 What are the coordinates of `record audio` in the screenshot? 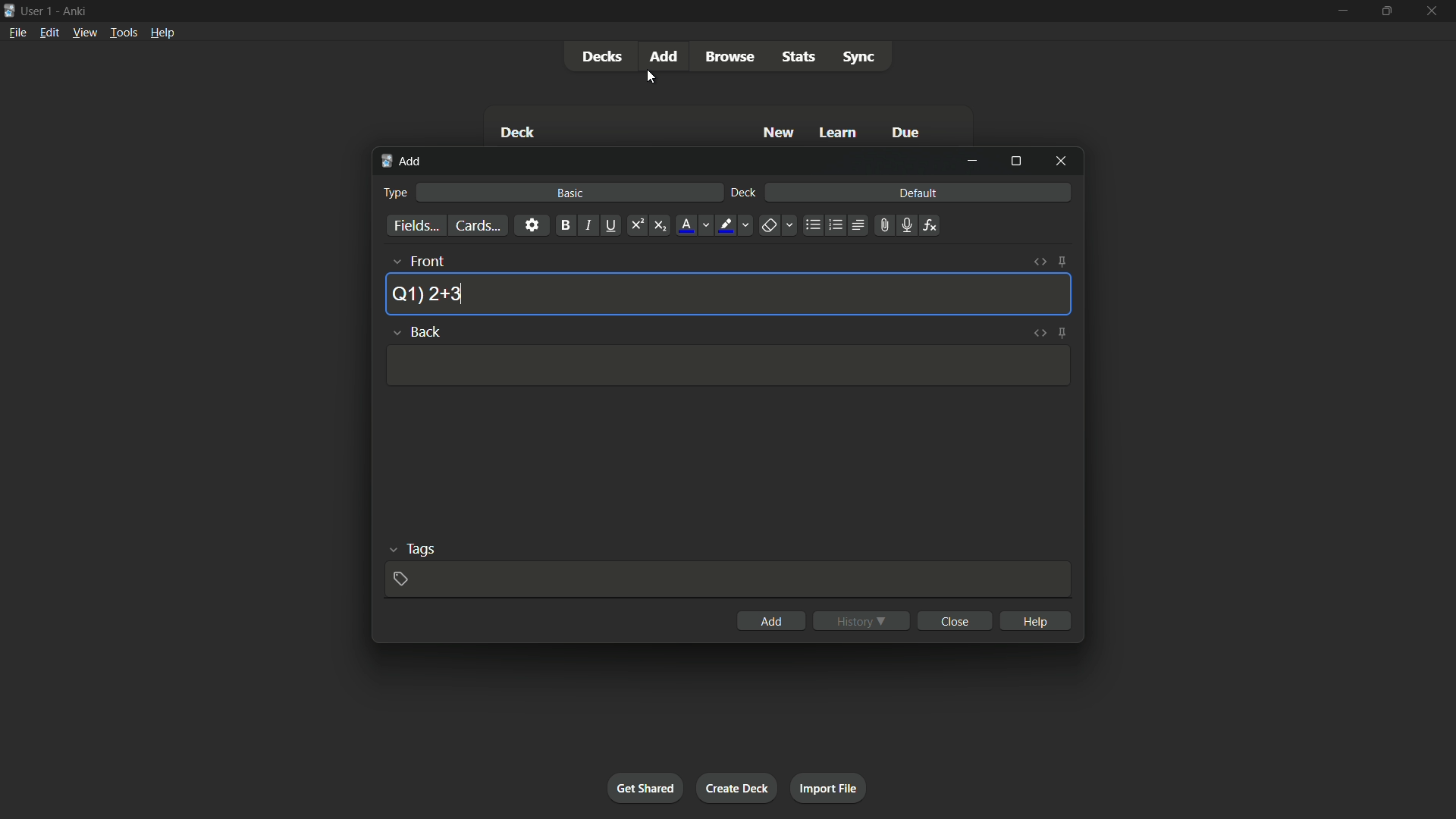 It's located at (905, 226).